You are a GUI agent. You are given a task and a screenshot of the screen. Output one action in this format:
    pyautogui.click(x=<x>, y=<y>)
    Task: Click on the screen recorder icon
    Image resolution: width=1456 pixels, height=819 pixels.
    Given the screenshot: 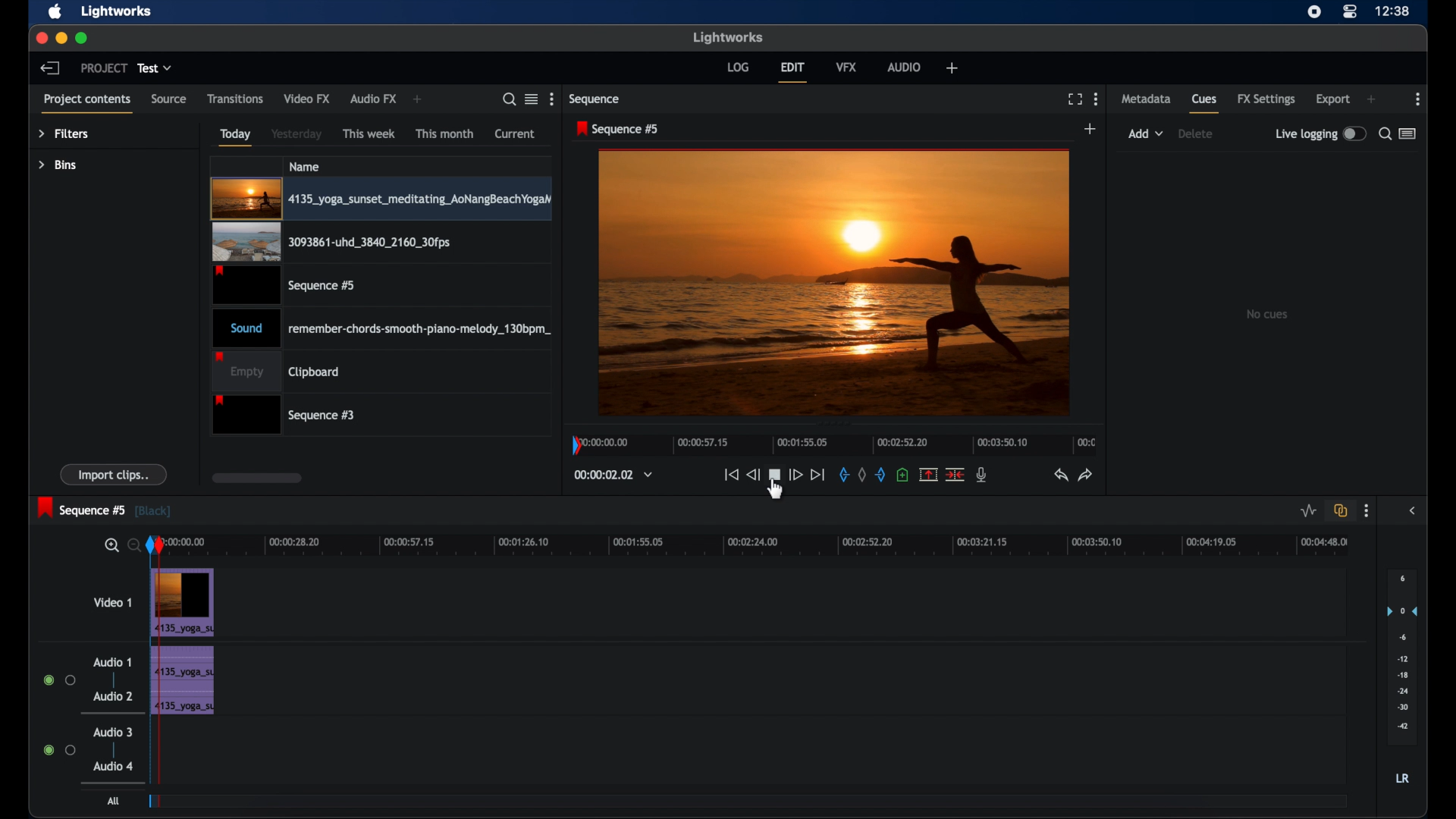 What is the action you would take?
    pyautogui.click(x=1313, y=12)
    